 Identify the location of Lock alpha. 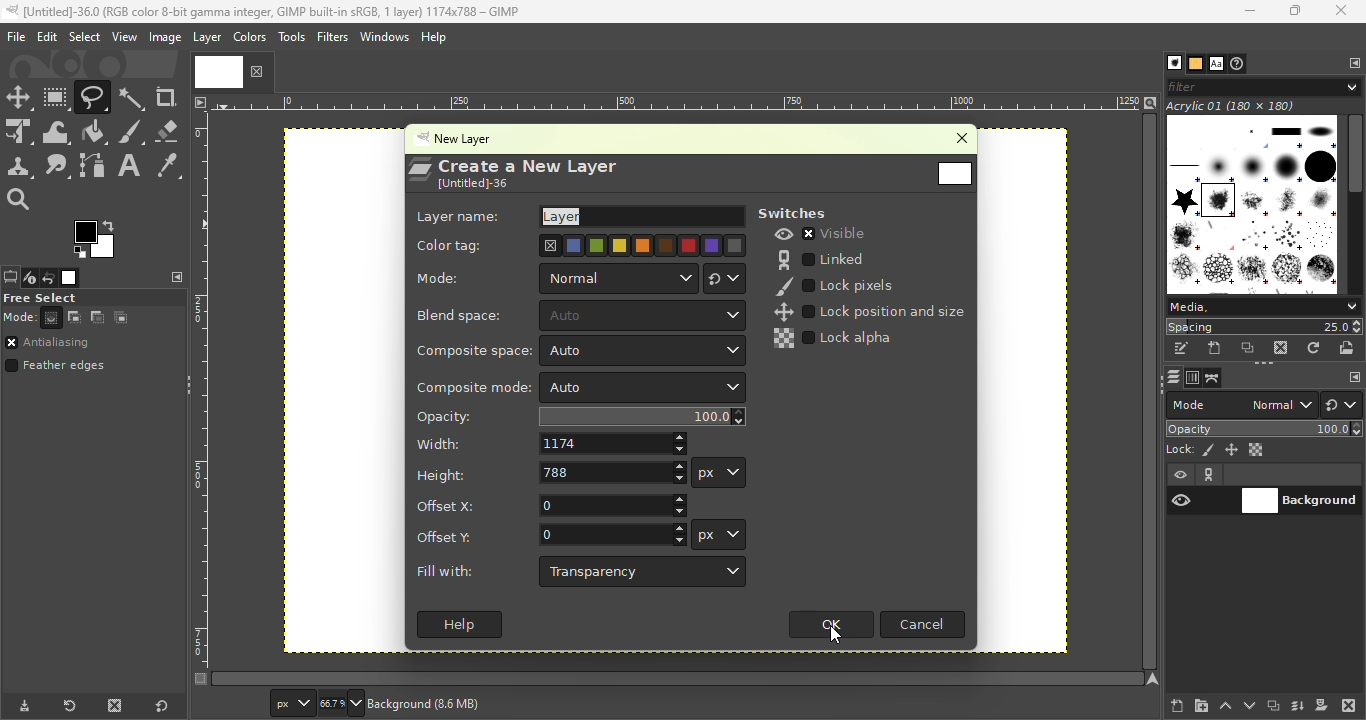
(838, 339).